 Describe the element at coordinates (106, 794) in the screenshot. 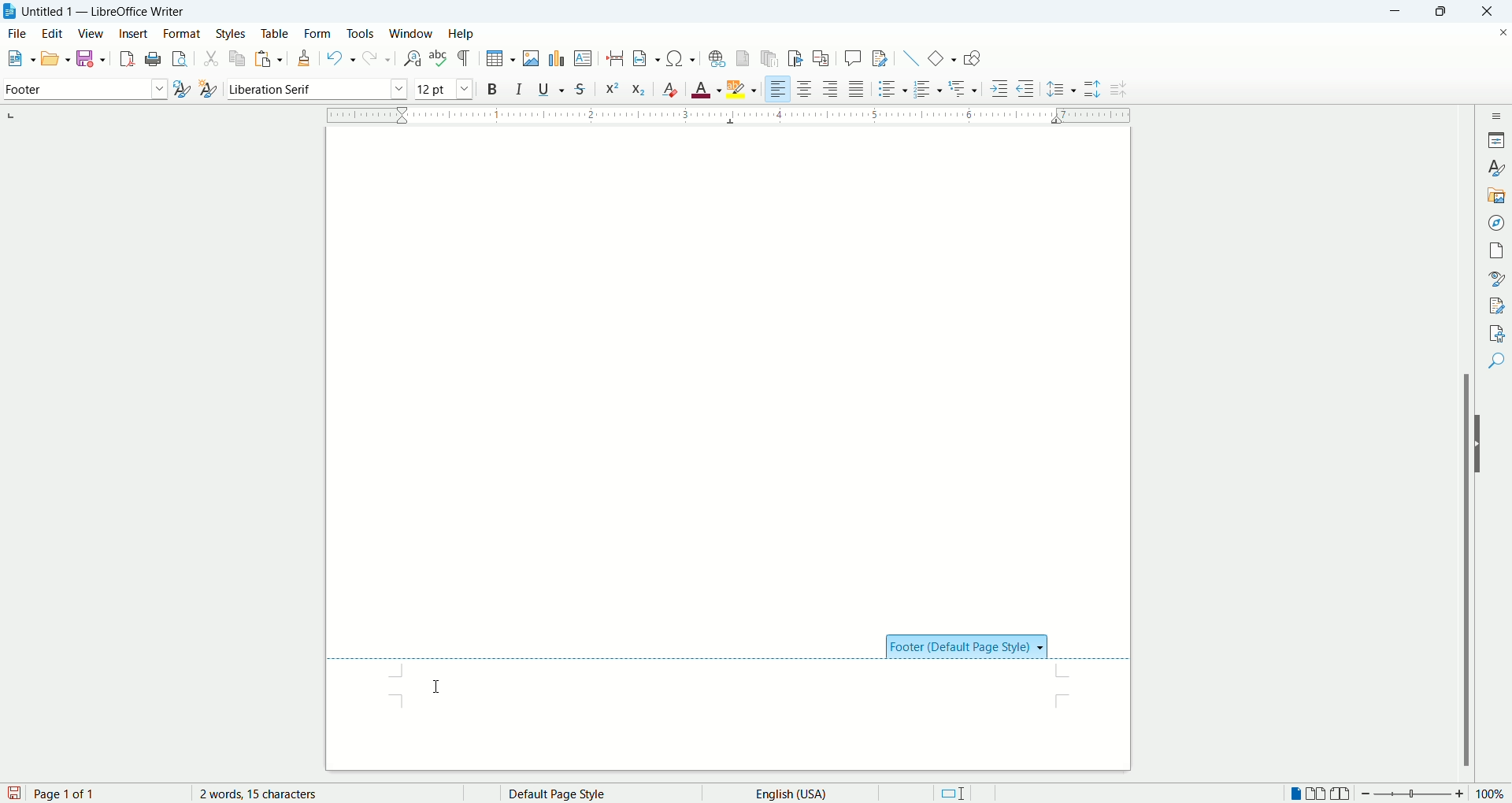

I see `page number` at that location.